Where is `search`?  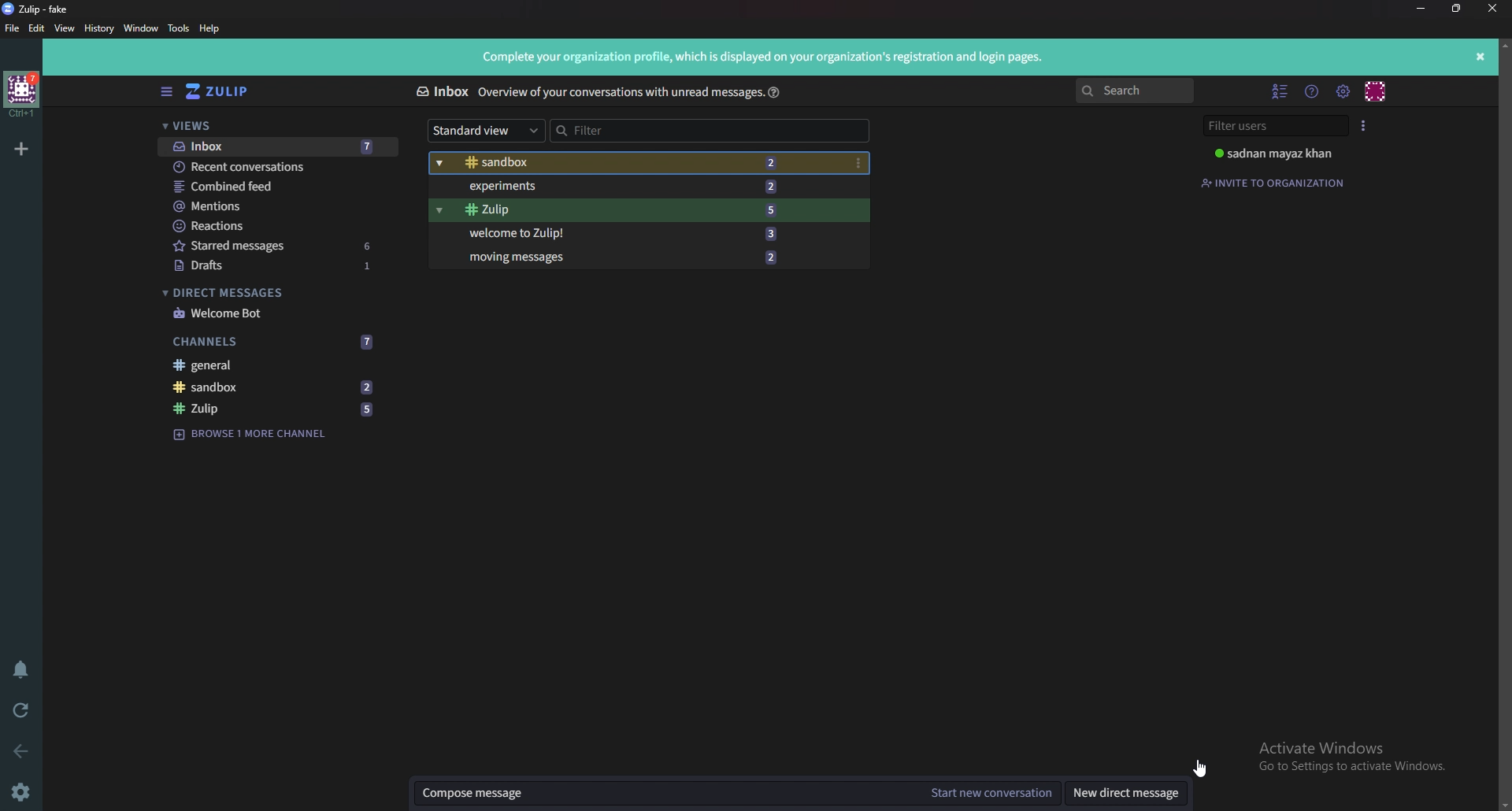
search is located at coordinates (1132, 91).